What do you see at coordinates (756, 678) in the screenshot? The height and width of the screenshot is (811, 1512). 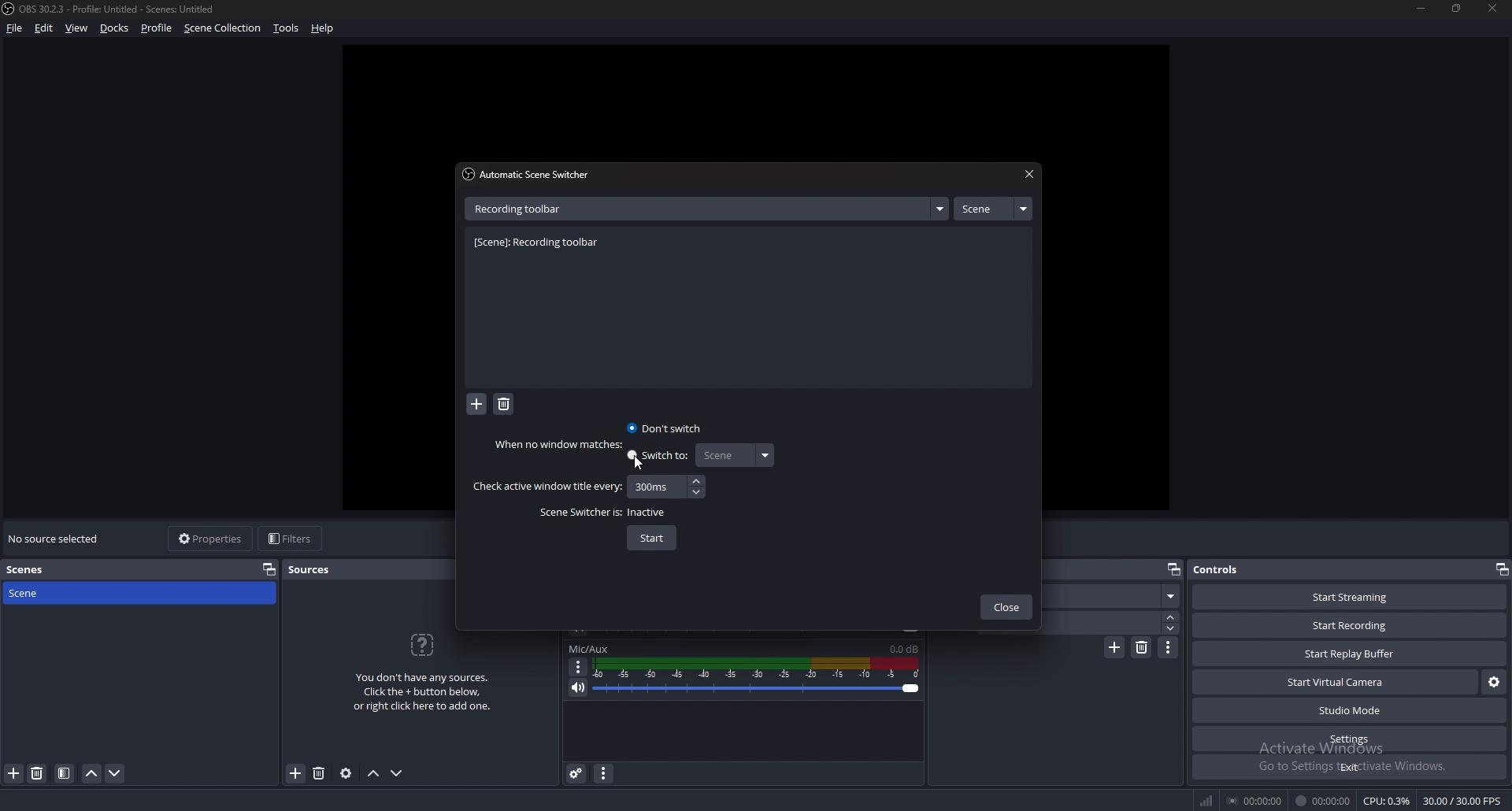 I see `volume adjust` at bounding box center [756, 678].